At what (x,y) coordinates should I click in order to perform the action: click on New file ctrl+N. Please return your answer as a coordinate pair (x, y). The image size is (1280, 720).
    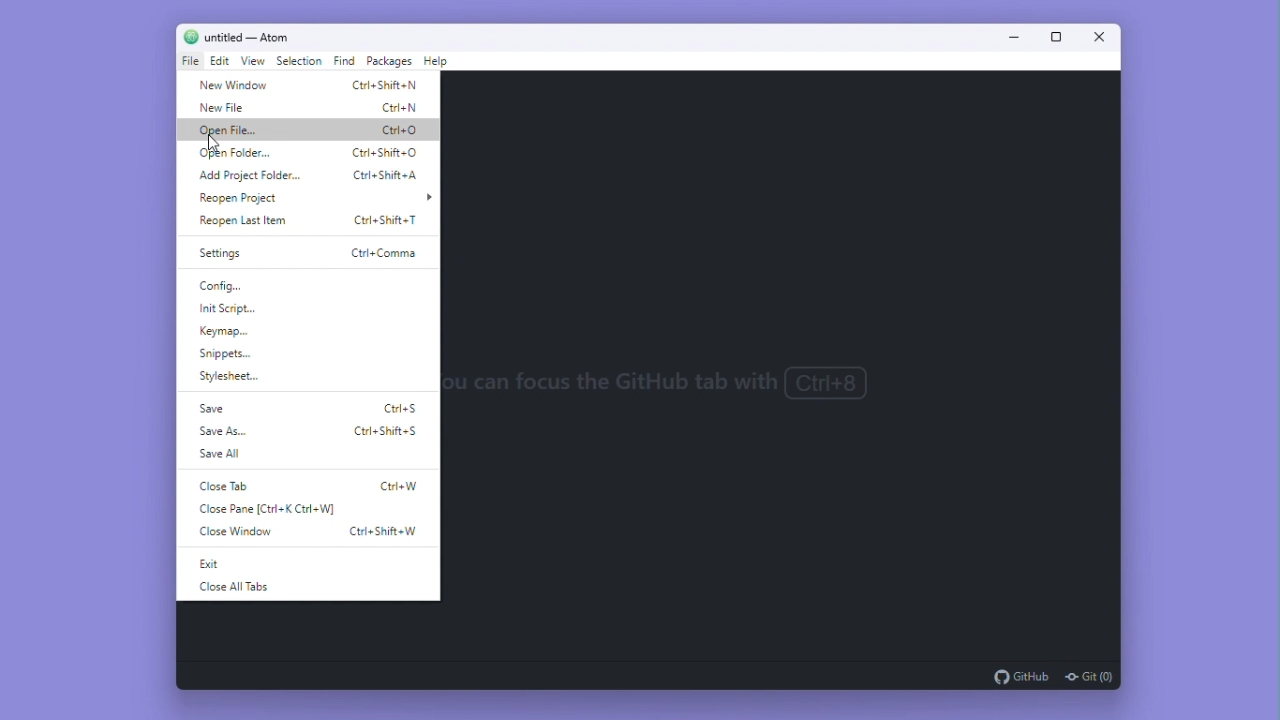
    Looking at the image, I should click on (309, 110).